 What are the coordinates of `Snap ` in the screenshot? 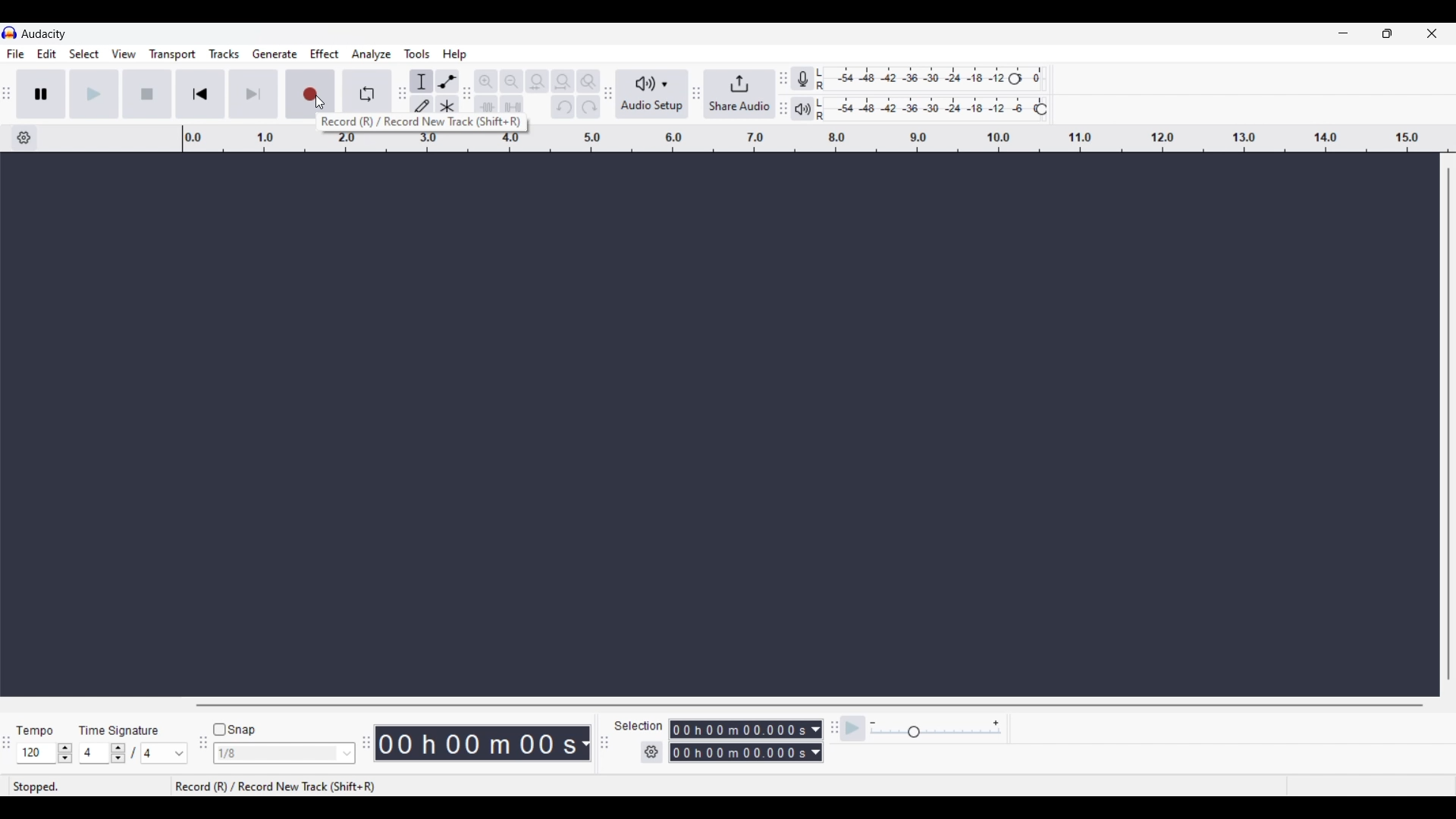 It's located at (234, 730).